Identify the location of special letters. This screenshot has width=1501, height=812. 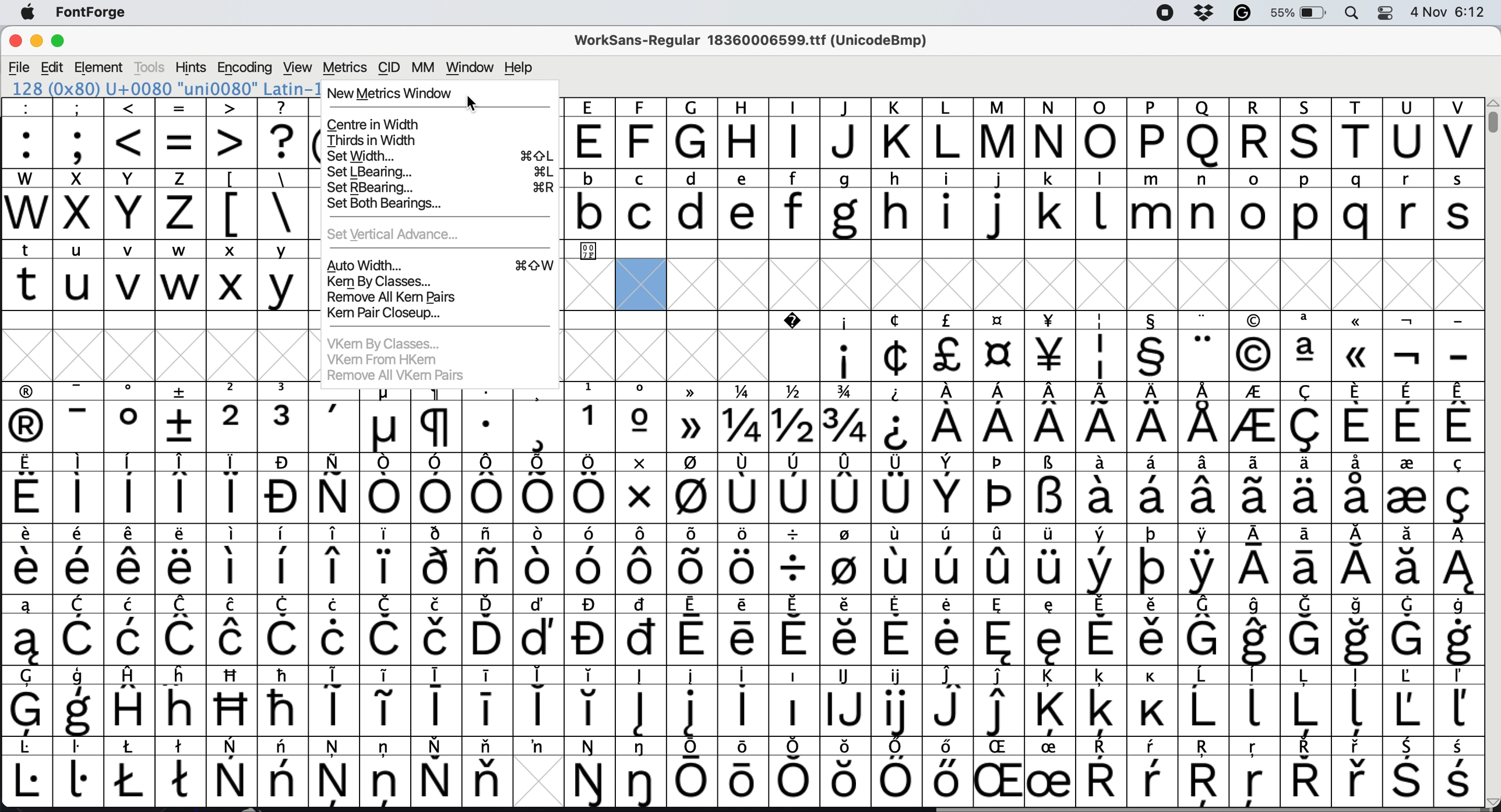
(742, 781).